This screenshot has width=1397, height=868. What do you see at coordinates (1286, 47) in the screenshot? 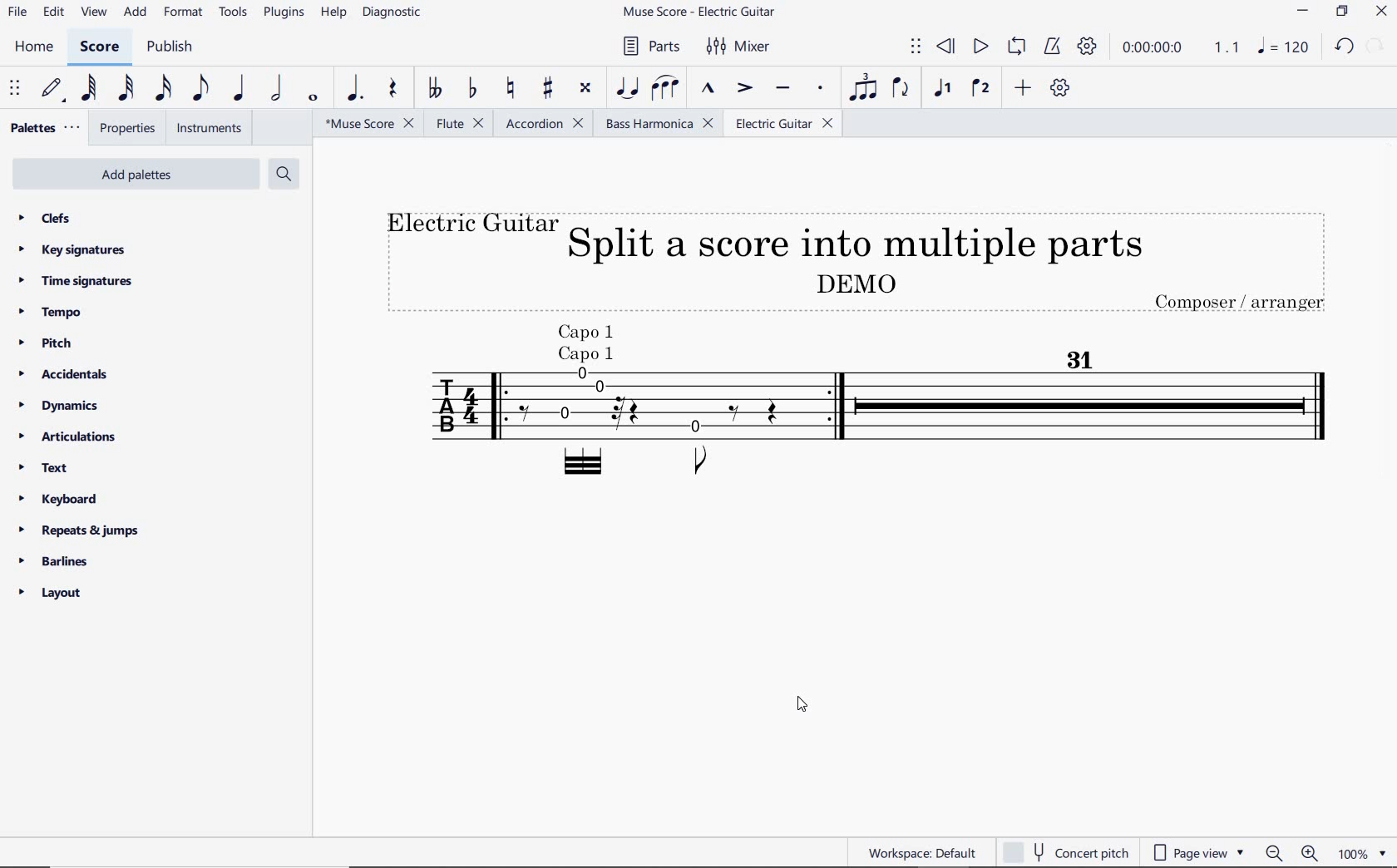
I see `NOTE` at bounding box center [1286, 47].